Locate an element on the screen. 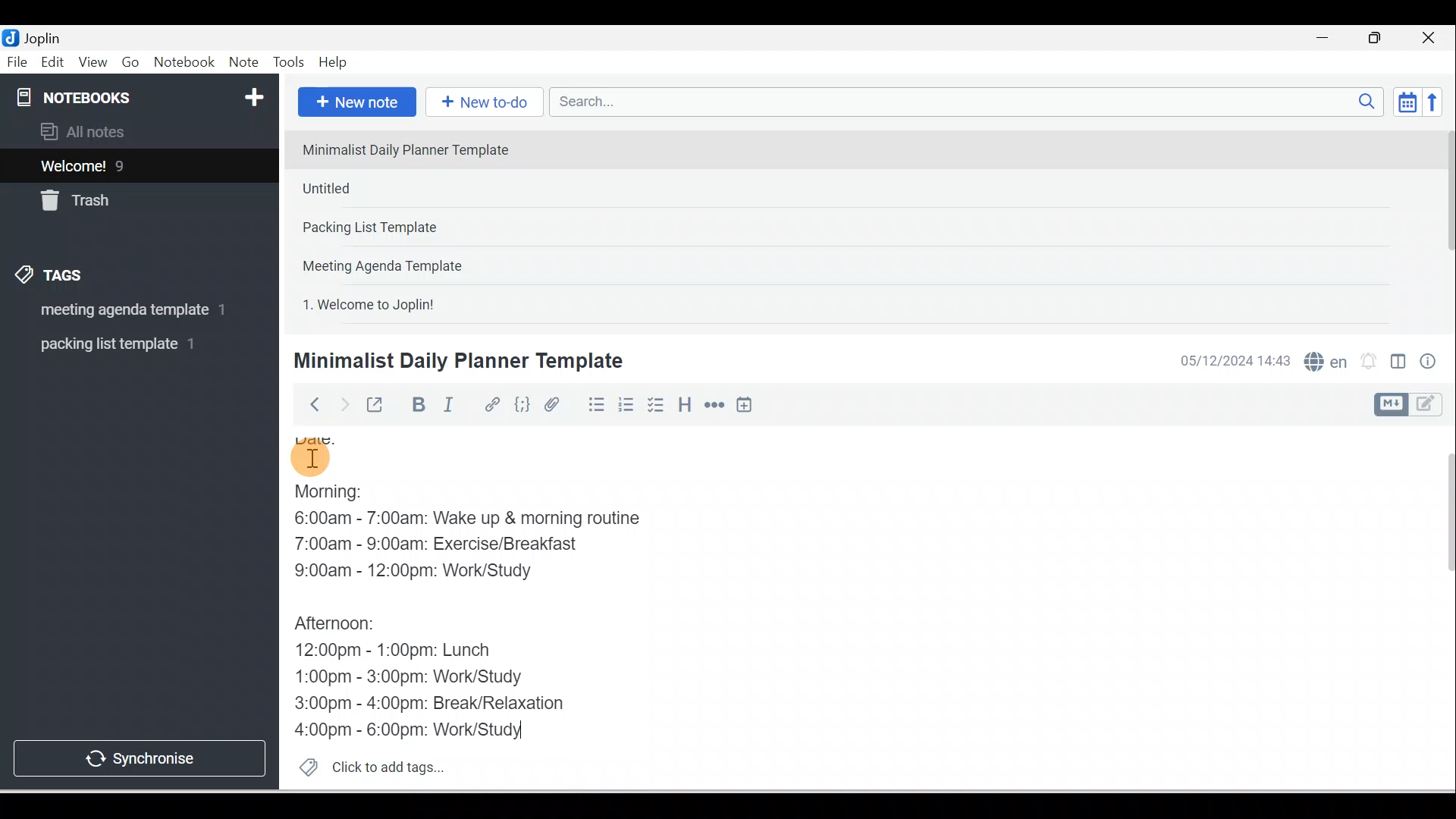  Tags is located at coordinates (54, 278).